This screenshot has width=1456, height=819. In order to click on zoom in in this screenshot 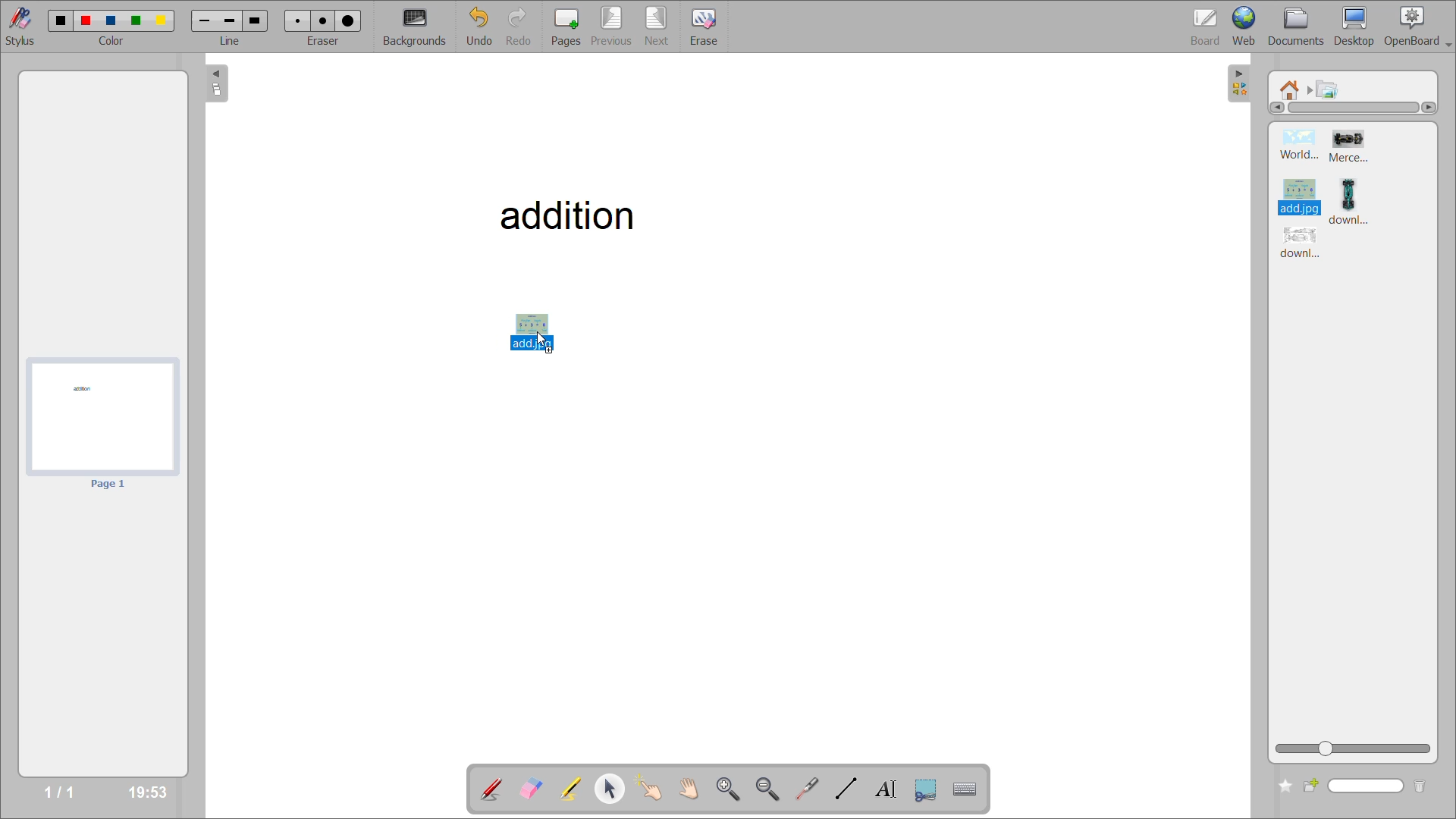, I will do `click(729, 787)`.